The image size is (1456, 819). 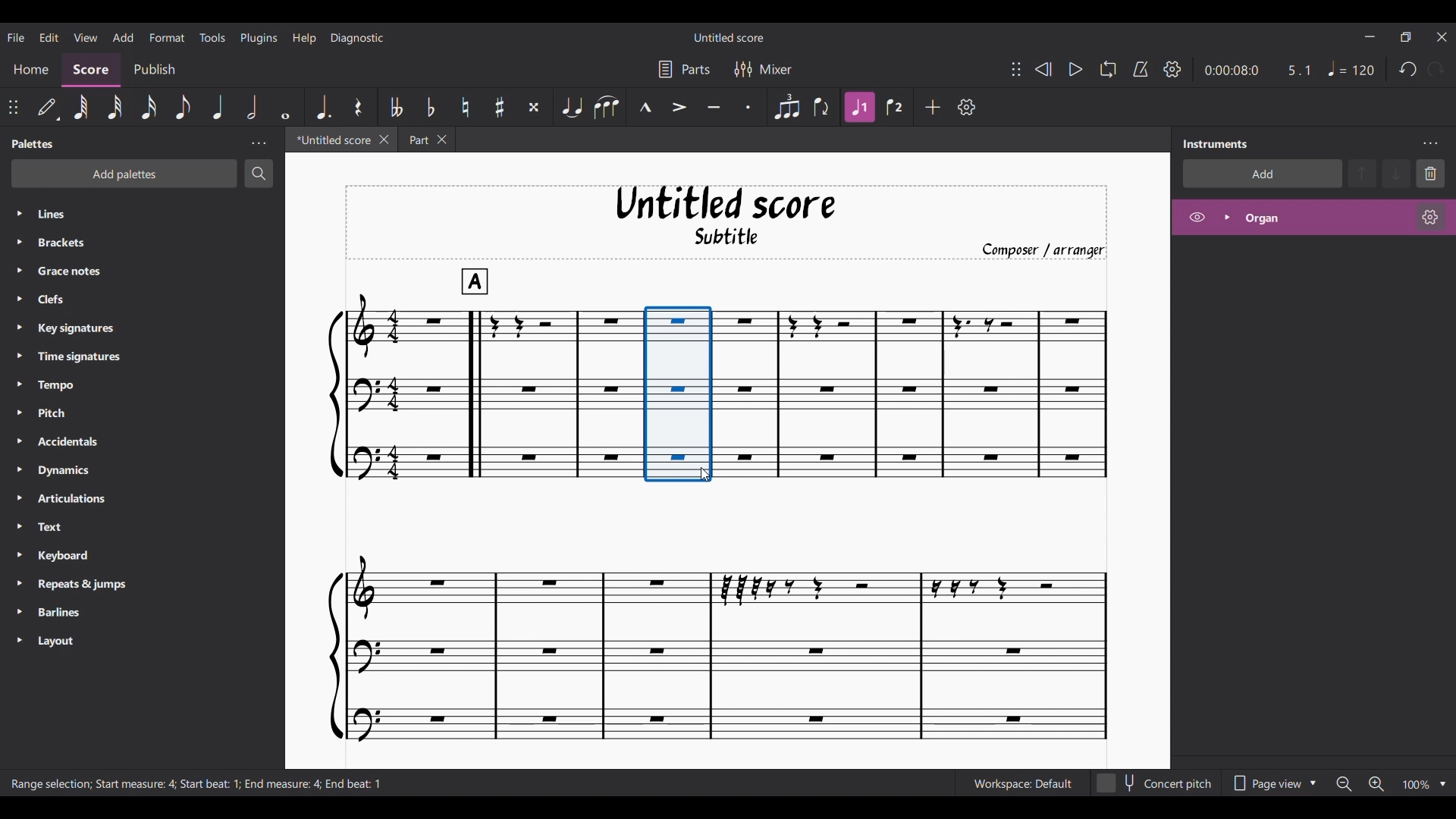 I want to click on Flip direction, so click(x=822, y=108).